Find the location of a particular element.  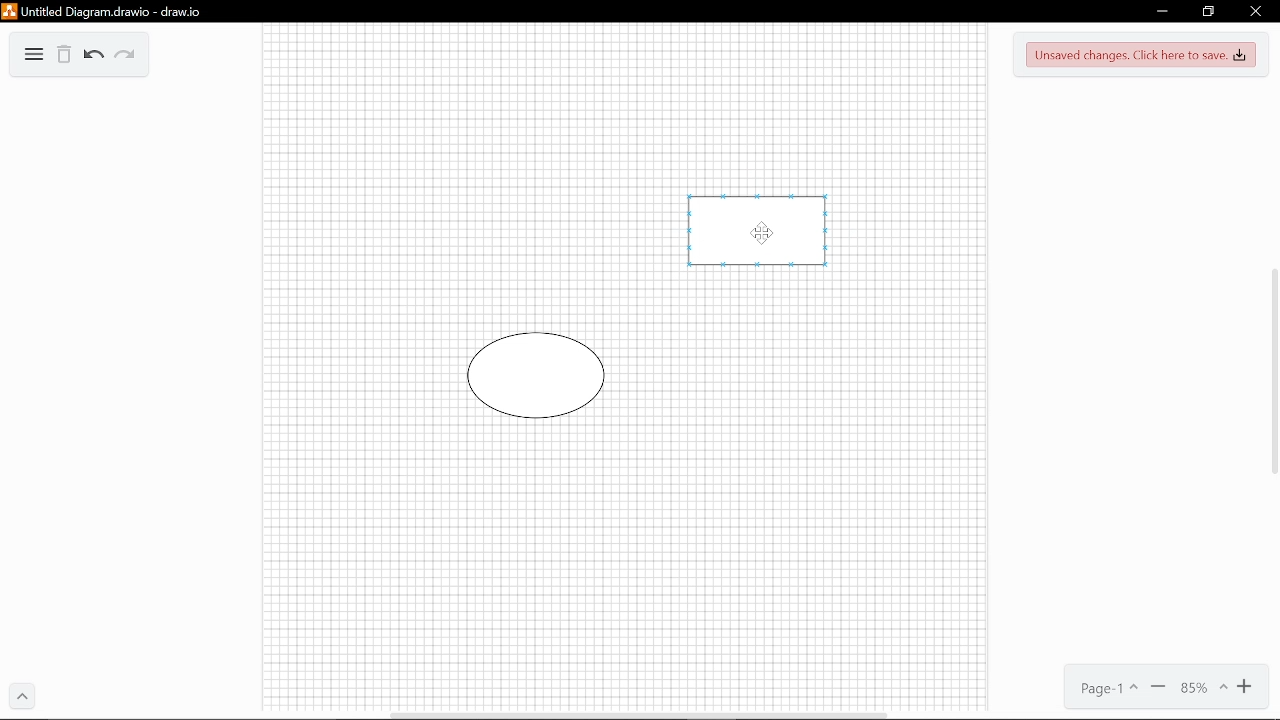

Current zoom (85%) is located at coordinates (1203, 690).